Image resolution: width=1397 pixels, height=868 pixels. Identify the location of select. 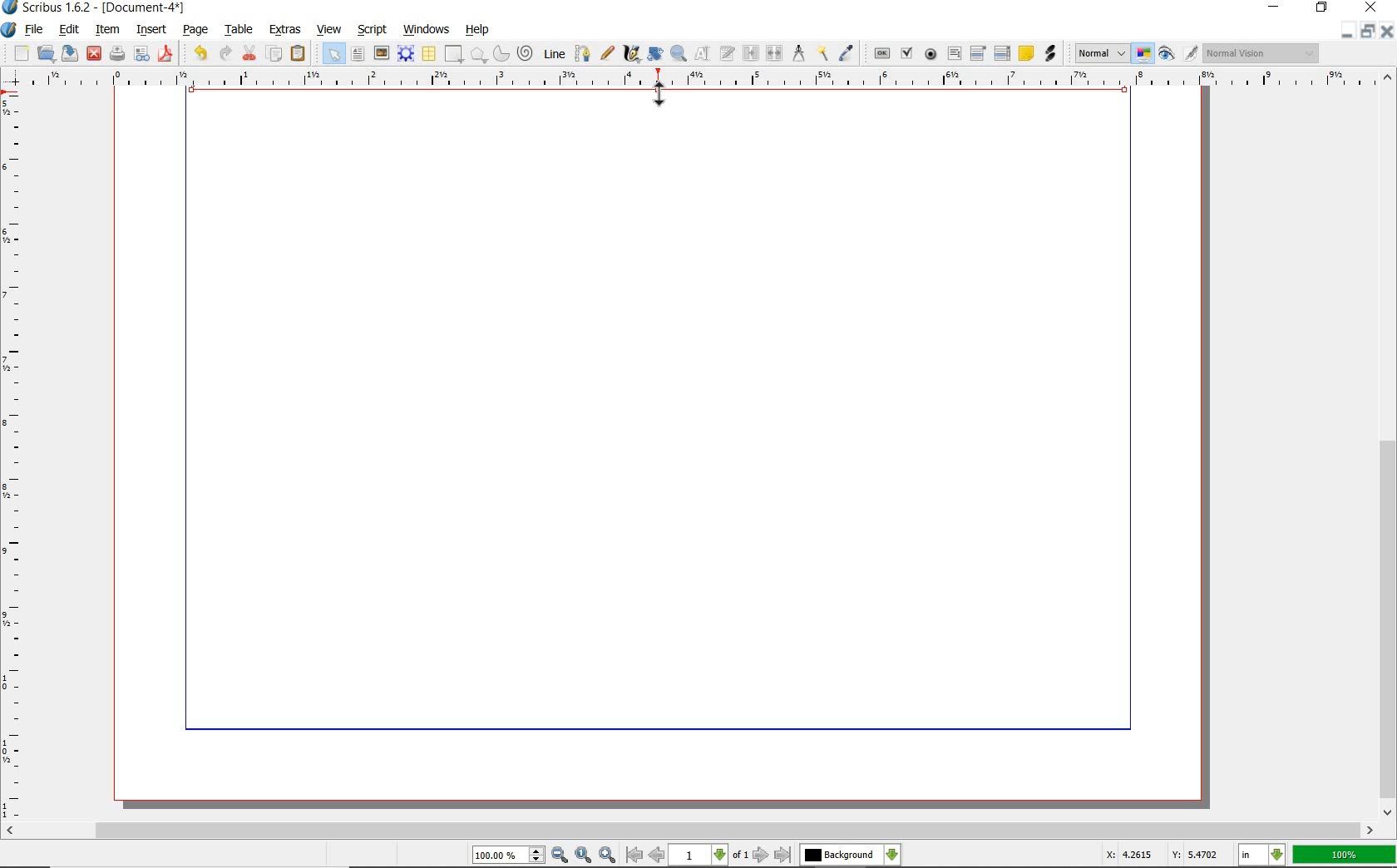
(332, 52).